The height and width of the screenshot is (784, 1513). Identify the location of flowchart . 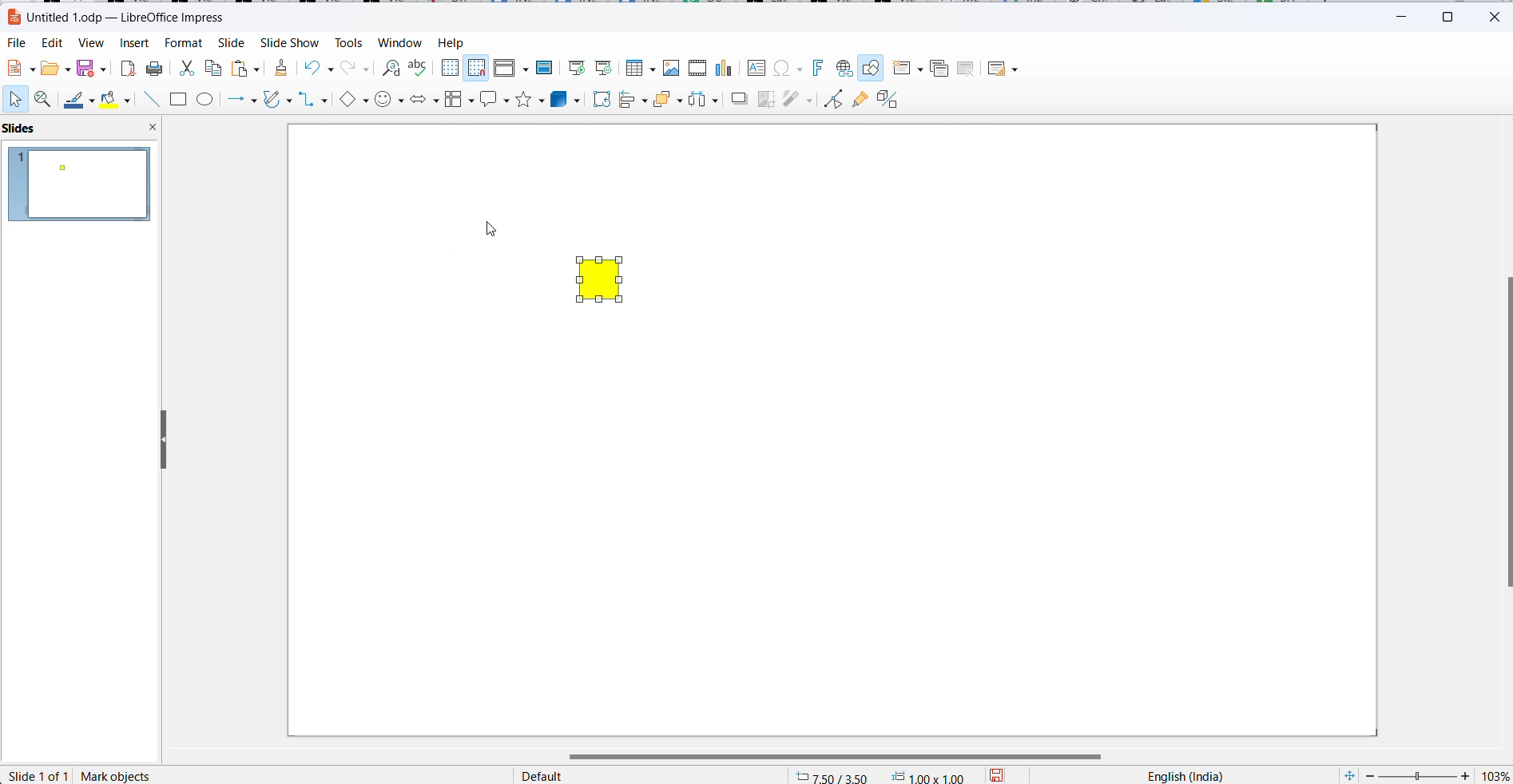
(459, 99).